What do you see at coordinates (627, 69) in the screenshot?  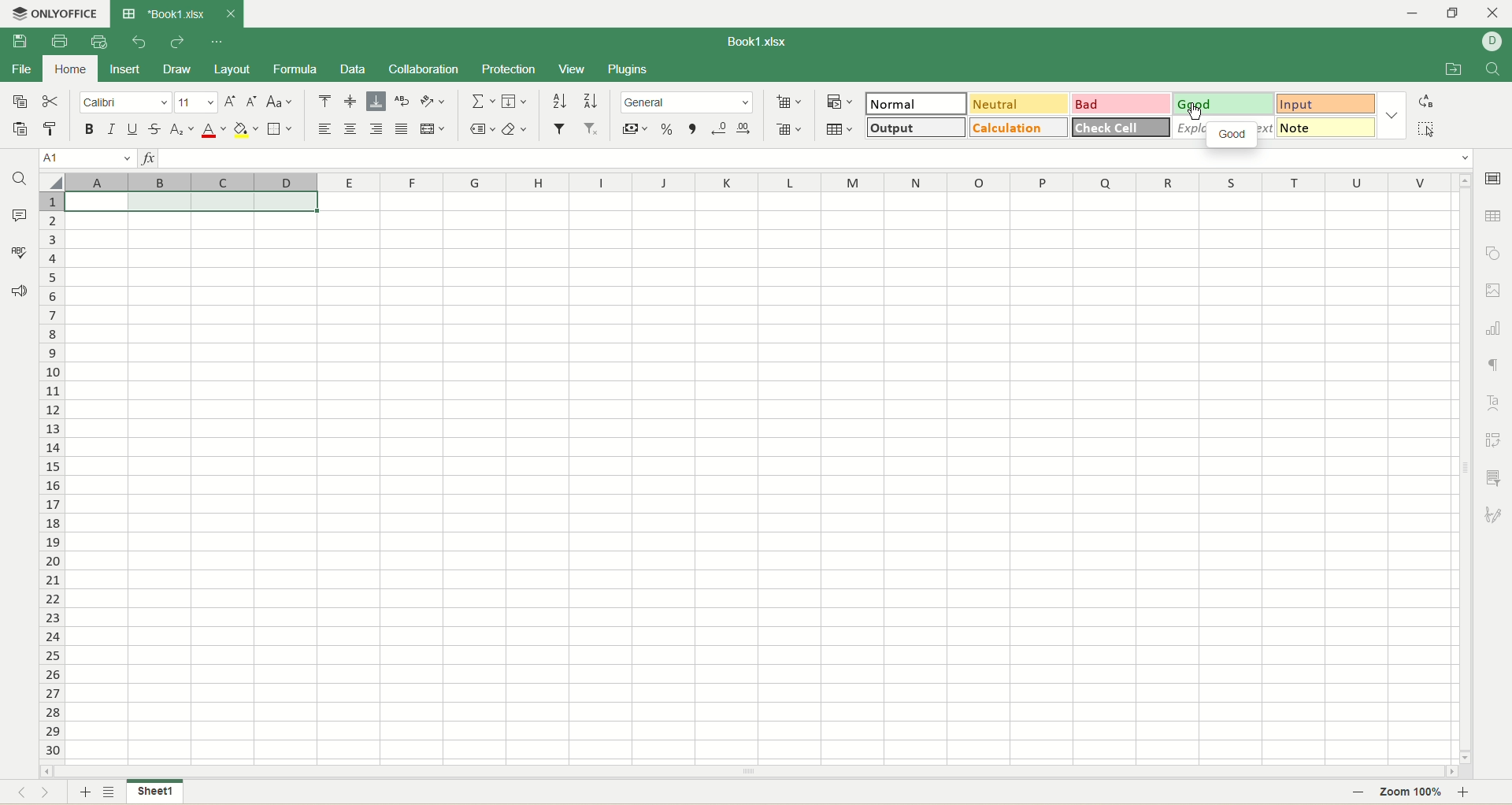 I see `plugins` at bounding box center [627, 69].